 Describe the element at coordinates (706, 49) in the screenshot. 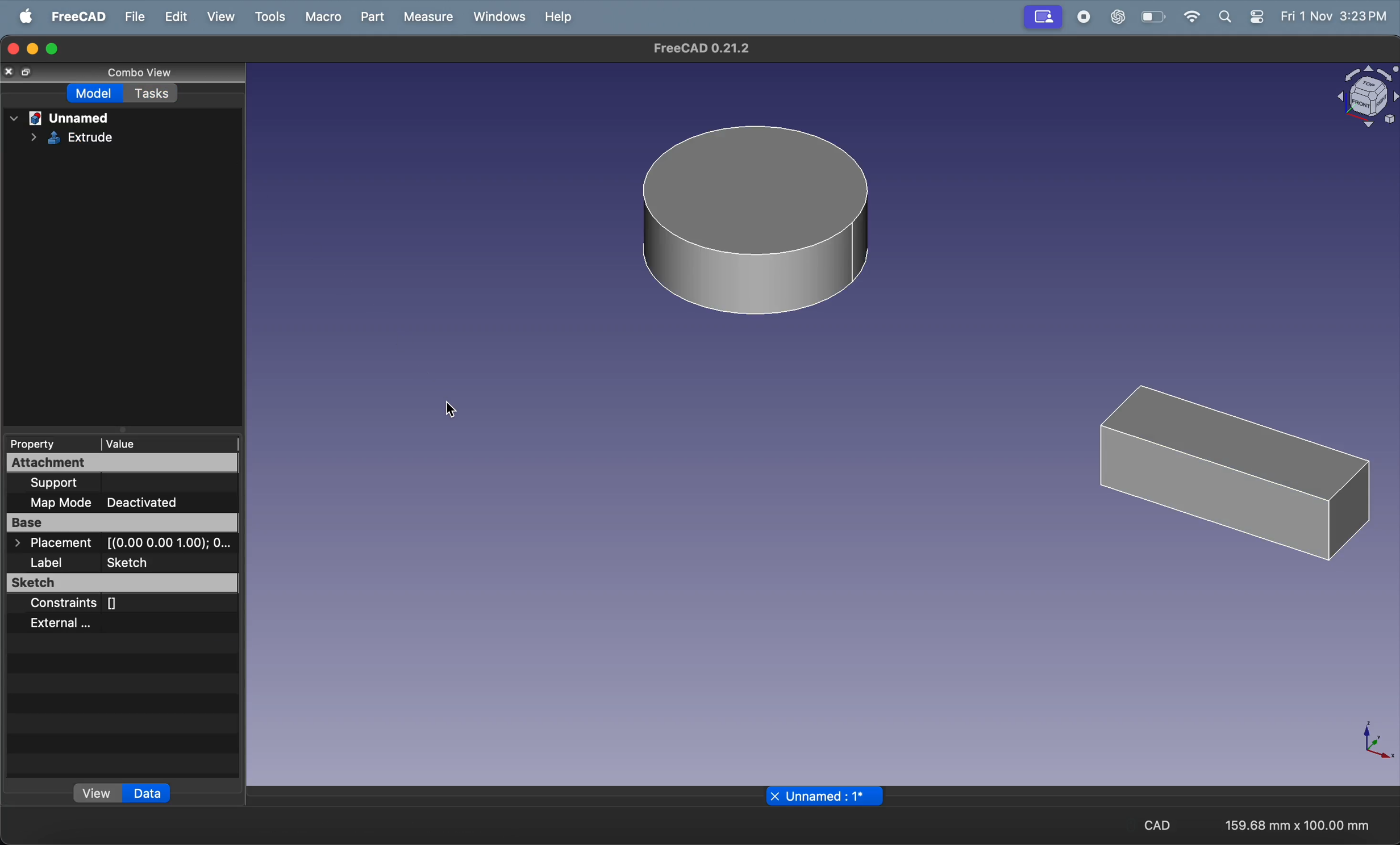

I see `FreeCAD 0.21.2` at that location.